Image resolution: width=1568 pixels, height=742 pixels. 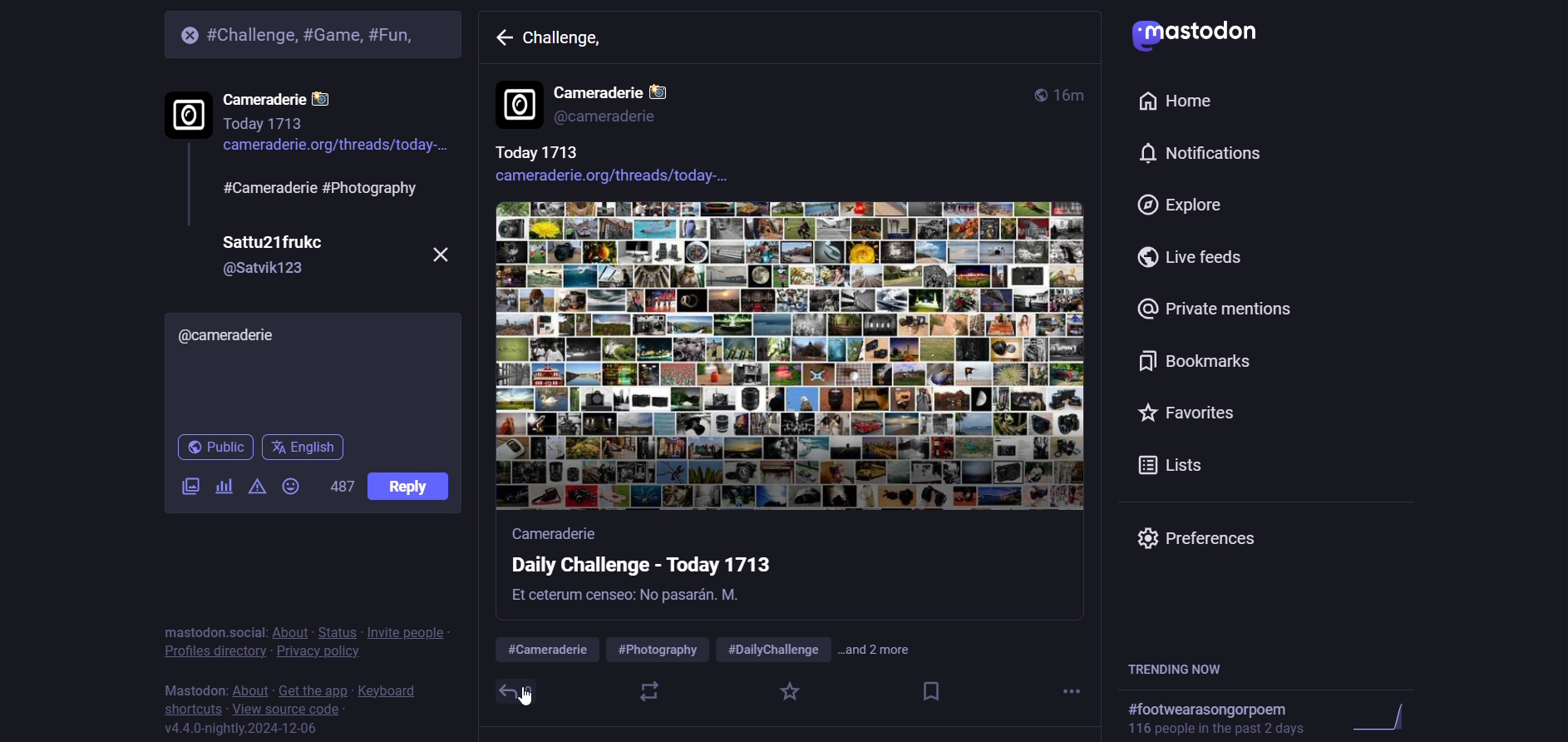 I want to click on boost, so click(x=648, y=692).